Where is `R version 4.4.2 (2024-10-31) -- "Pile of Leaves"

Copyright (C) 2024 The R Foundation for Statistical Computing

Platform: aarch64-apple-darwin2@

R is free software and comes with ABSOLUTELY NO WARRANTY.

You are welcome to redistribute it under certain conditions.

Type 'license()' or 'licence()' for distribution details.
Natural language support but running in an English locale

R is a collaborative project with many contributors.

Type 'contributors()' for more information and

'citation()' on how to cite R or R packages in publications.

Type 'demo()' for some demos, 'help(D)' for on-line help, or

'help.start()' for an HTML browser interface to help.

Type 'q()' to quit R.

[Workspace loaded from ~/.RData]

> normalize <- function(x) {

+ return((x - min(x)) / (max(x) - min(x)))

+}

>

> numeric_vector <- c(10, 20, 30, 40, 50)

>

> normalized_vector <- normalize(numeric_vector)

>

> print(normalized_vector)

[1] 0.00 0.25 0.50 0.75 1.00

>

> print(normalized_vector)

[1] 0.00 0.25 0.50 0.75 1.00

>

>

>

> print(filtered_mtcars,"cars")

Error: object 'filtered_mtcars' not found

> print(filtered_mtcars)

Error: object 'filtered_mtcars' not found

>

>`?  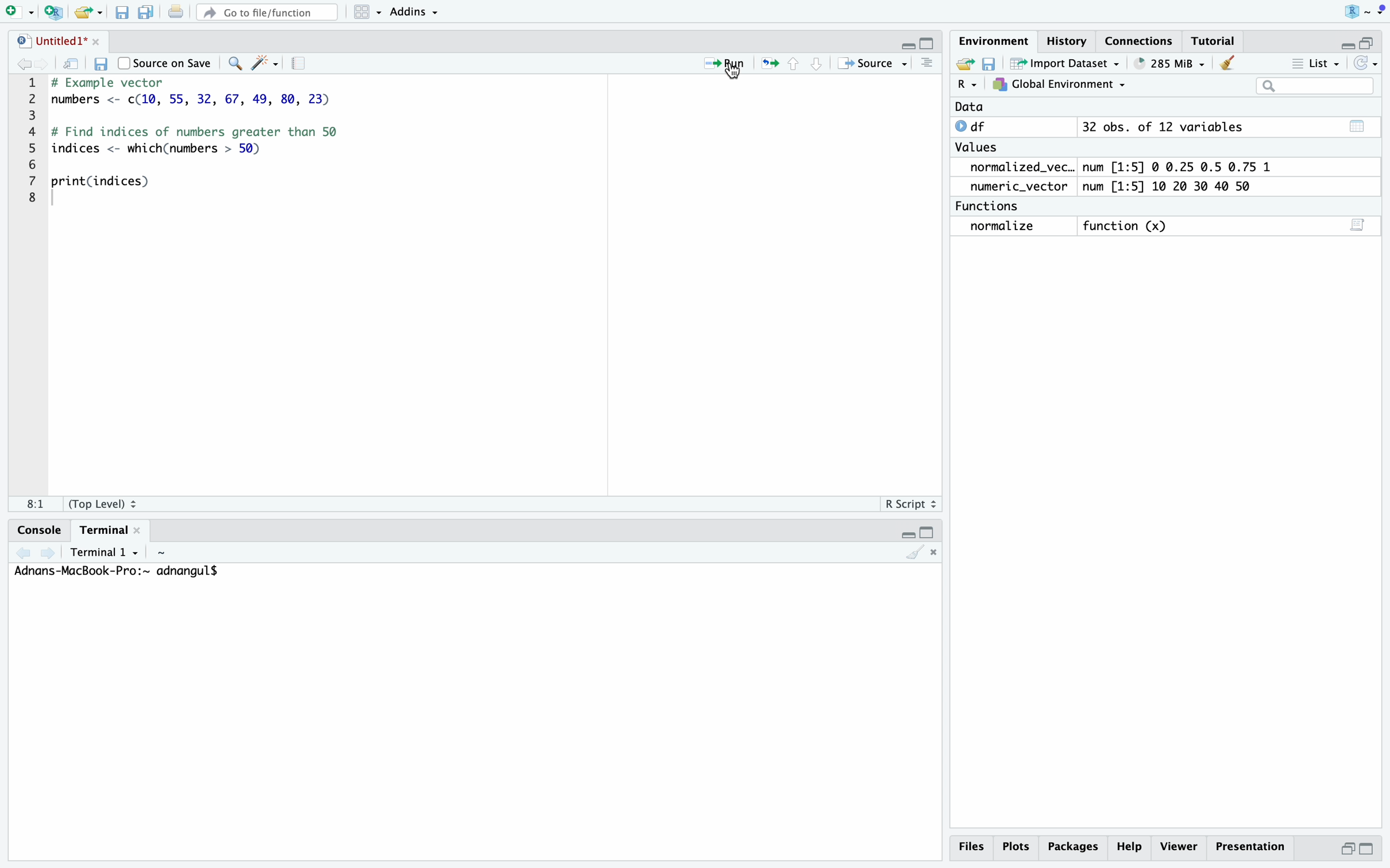 R version 4.4.2 (2024-10-31) -- "Pile of Leaves"

Copyright (C) 2024 The R Foundation for Statistical Computing

Platform: aarch64-apple-darwin2@

R is free software and comes with ABSOLUTELY NO WARRANTY.

You are welcome to redistribute it under certain conditions.

Type 'license()' or 'licence()' for distribution details.
Natural language support but running in an English locale

R is a collaborative project with many contributors.

Type 'contributors()' for more information and

'citation()' on how to cite R or R packages in publications.

Type 'demo()' for some demos, 'help(D)' for on-line help, or

'help.start()' for an HTML browser interface to help.

Type 'q()' to quit R.

[Workspace loaded from ~/.RData]

> normalize <- function(x) {

+ return((x - min(x)) / (max(x) - min(x)))

+}

>

> numeric_vector <- c(10, 20, 30, 40, 50)

>

> normalized_vector <- normalize(numeric_vector)

>

> print(normalized_vector)

[1] 0.00 0.25 0.50 0.75 1.00

>

> print(normalized_vector)

[1] 0.00 0.25 0.50 0.75 1.00

>

>

>

> print(filtered_mtcars,"cars")

Error: object 'filtered_mtcars' not found

> print(filtered_mtcars)

Error: object 'filtered_mtcars' not found

>

> is located at coordinates (158, 572).